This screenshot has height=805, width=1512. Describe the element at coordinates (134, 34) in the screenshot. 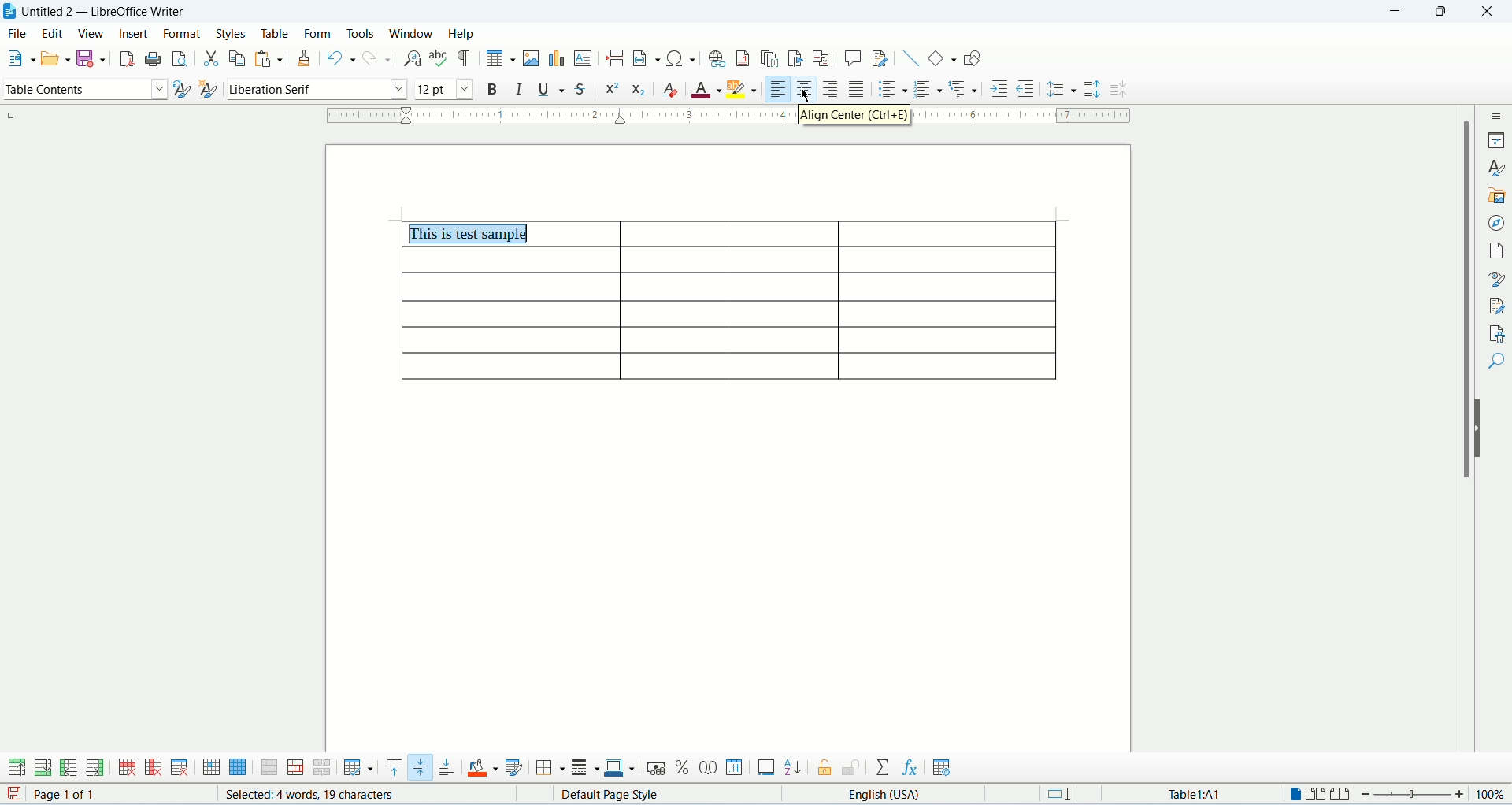

I see `insert` at that location.